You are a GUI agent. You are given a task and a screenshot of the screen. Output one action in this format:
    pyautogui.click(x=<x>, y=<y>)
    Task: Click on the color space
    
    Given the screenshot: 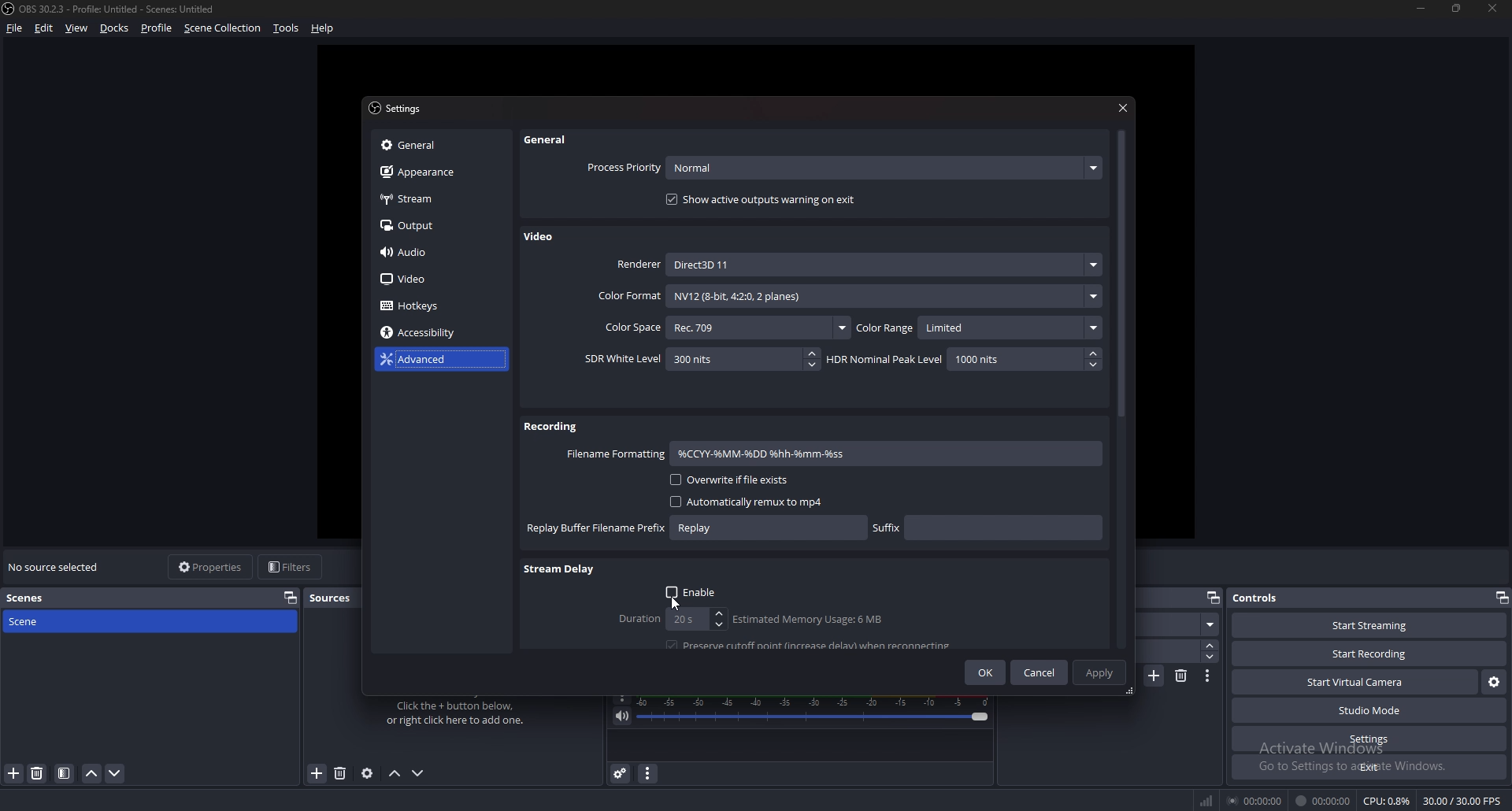 What is the action you would take?
    pyautogui.click(x=725, y=327)
    